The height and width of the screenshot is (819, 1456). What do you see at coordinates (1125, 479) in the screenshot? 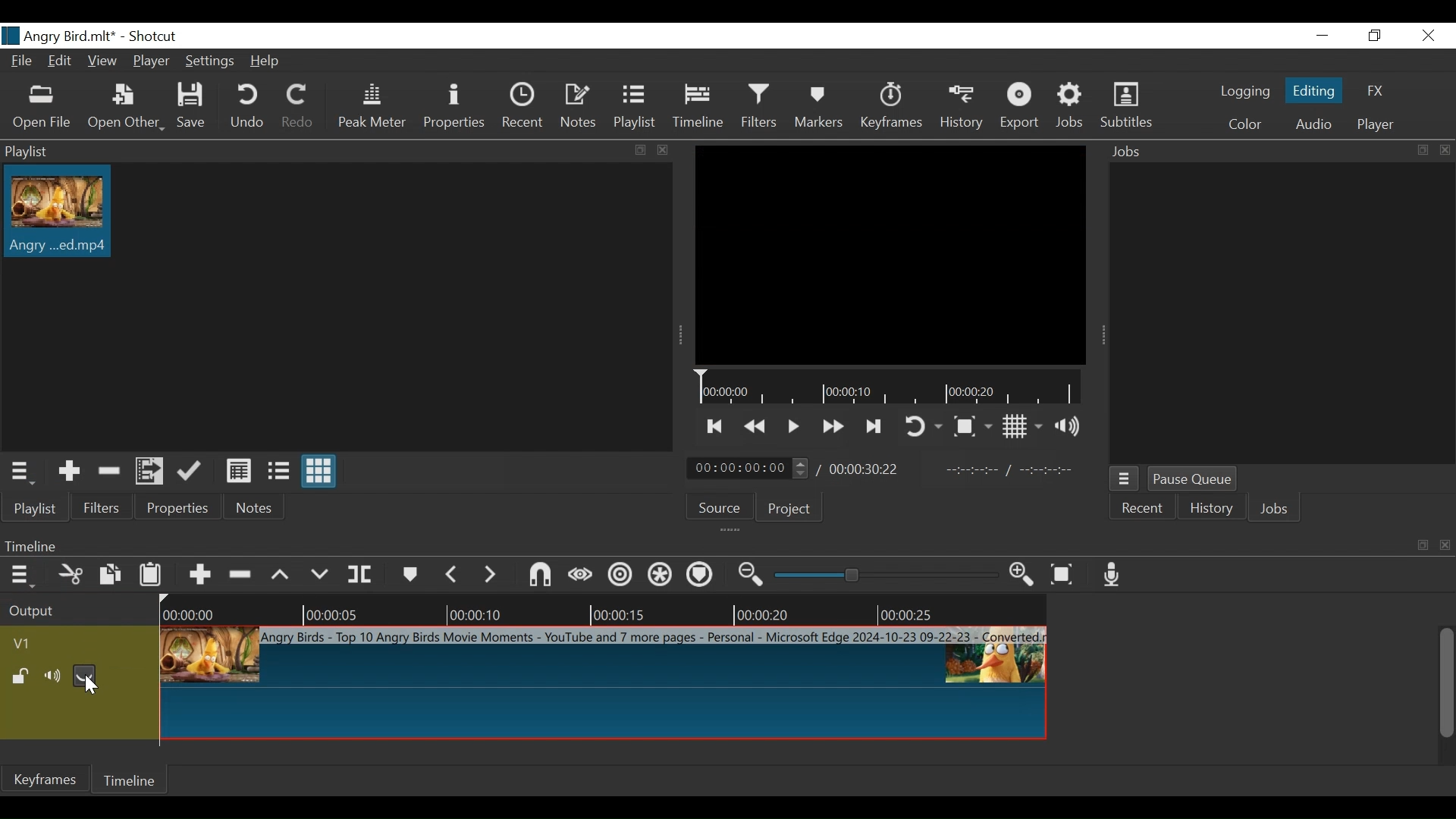
I see `Jobs menu` at bounding box center [1125, 479].